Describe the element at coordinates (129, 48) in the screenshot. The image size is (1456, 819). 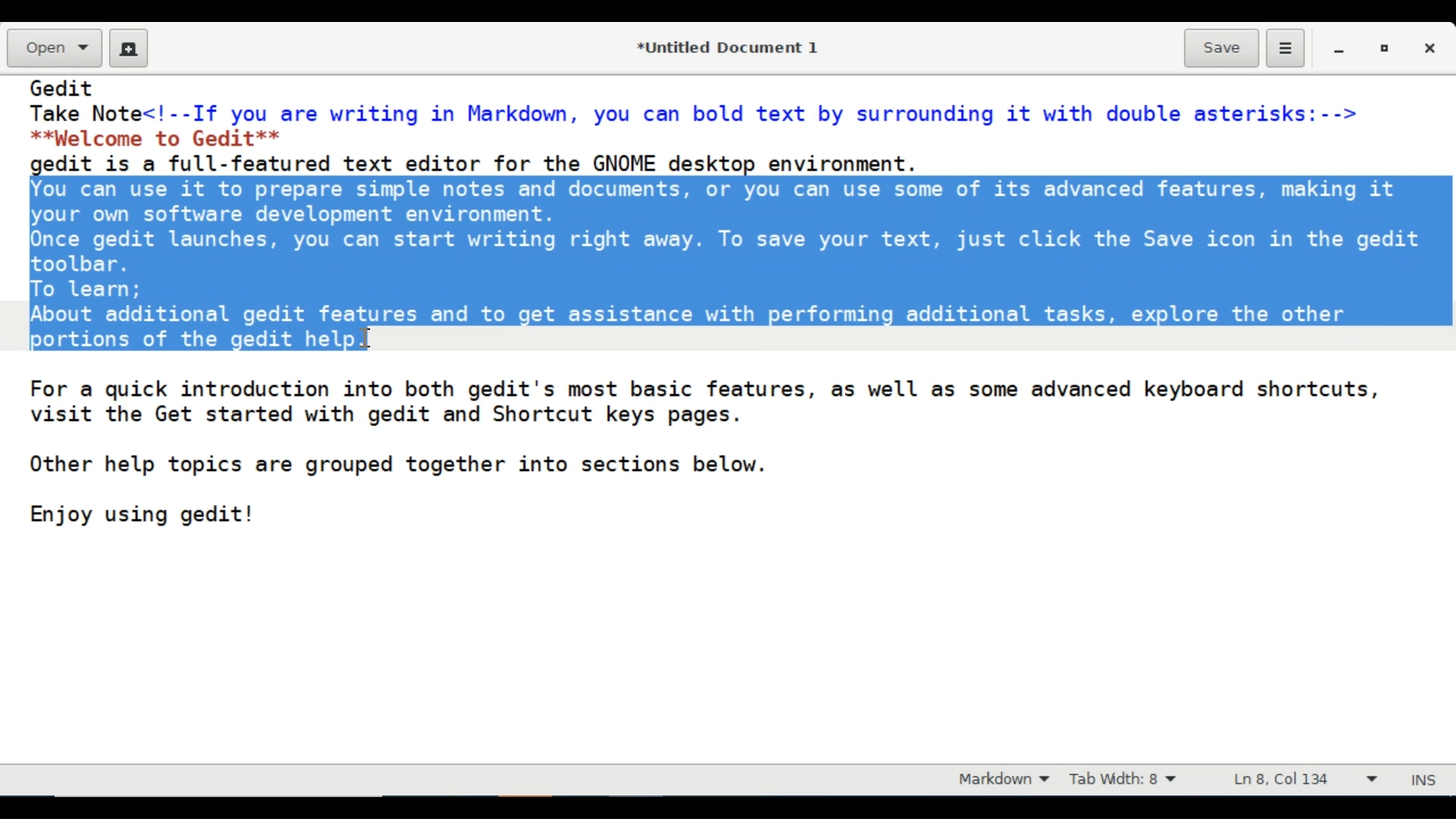
I see `New File` at that location.